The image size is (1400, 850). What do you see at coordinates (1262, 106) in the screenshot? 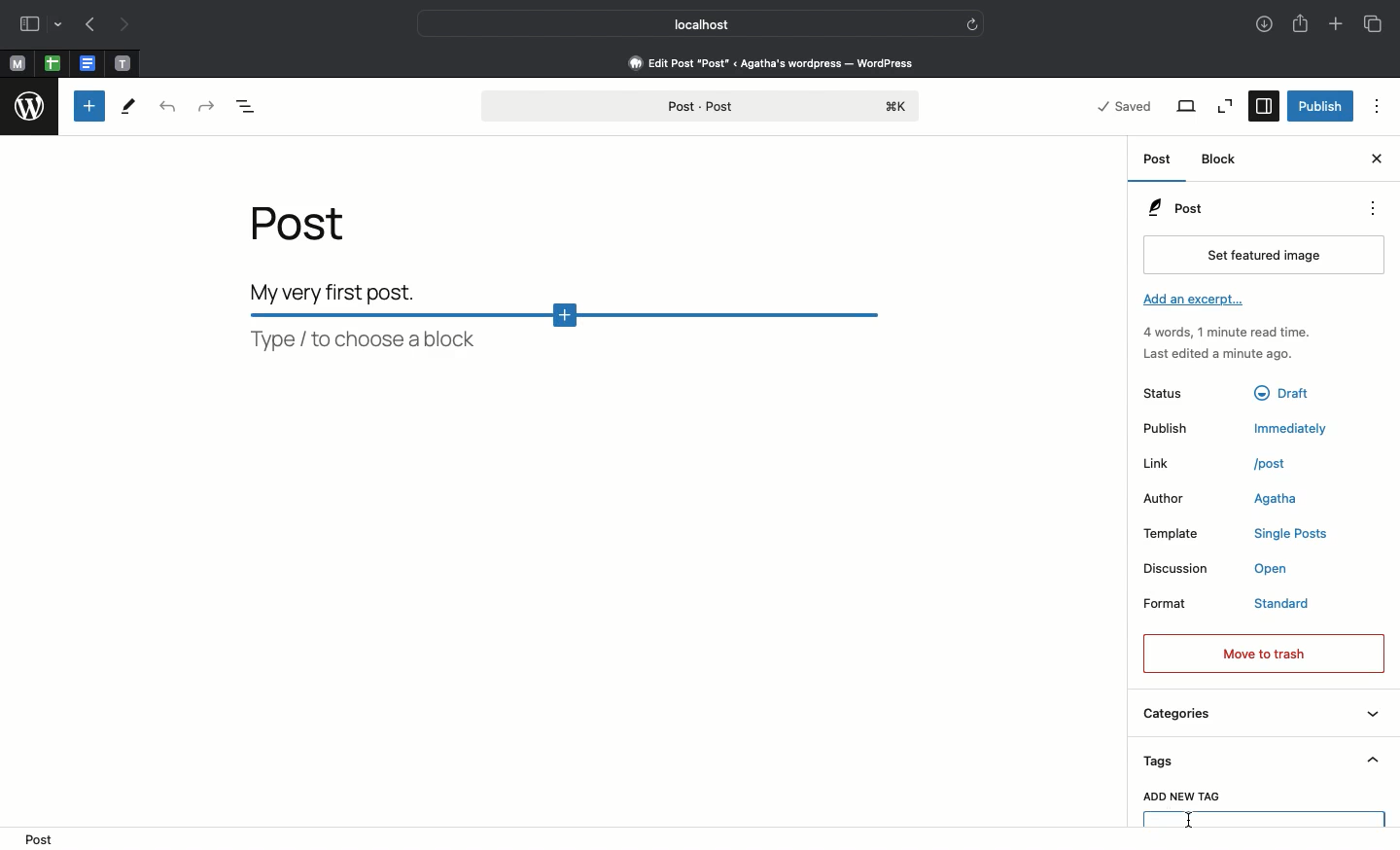
I see `Sidebar` at bounding box center [1262, 106].